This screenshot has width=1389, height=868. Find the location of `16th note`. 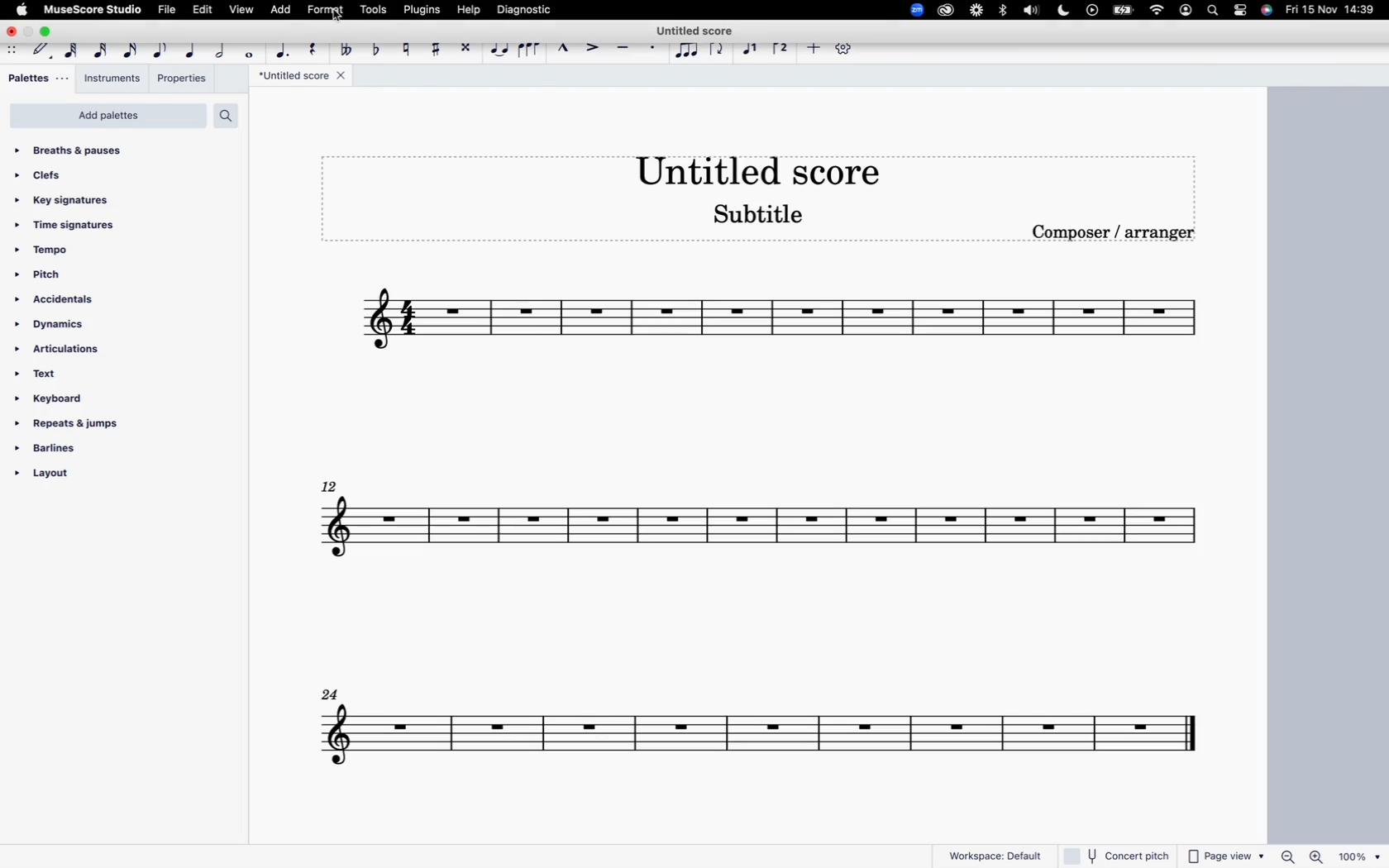

16th note is located at coordinates (133, 51).